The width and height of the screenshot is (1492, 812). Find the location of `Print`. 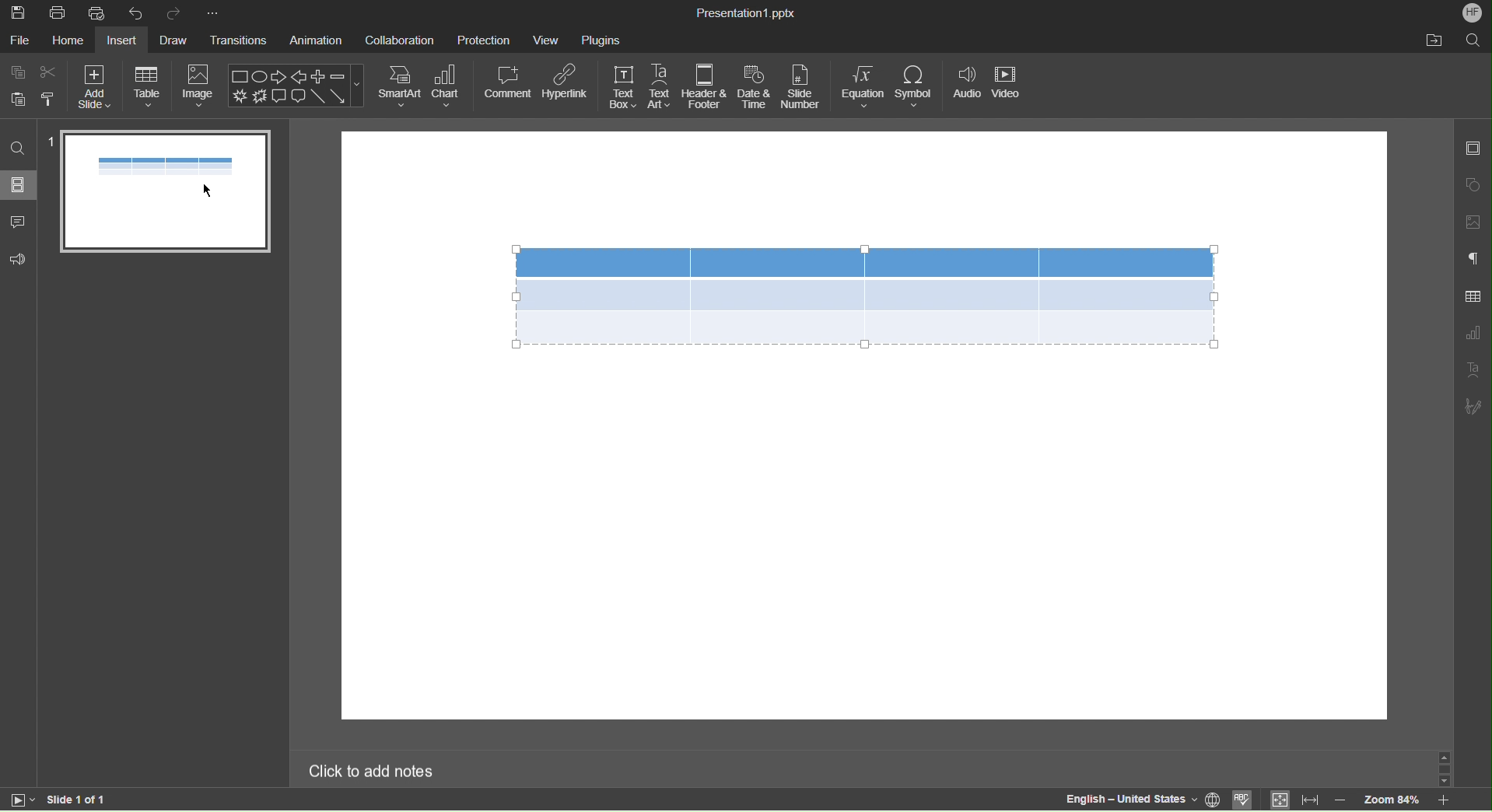

Print is located at coordinates (58, 12).